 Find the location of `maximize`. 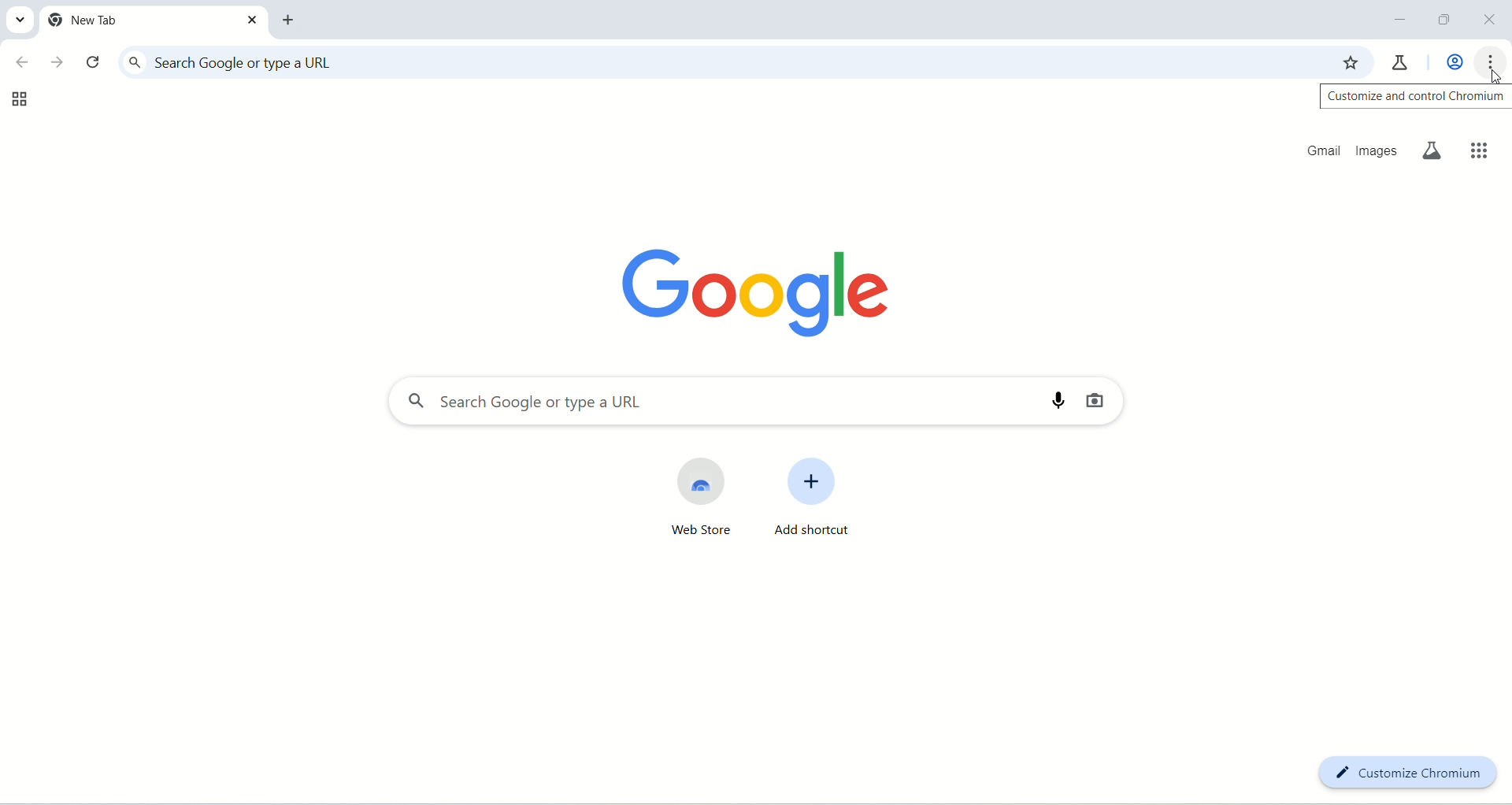

maximize is located at coordinates (1440, 20).